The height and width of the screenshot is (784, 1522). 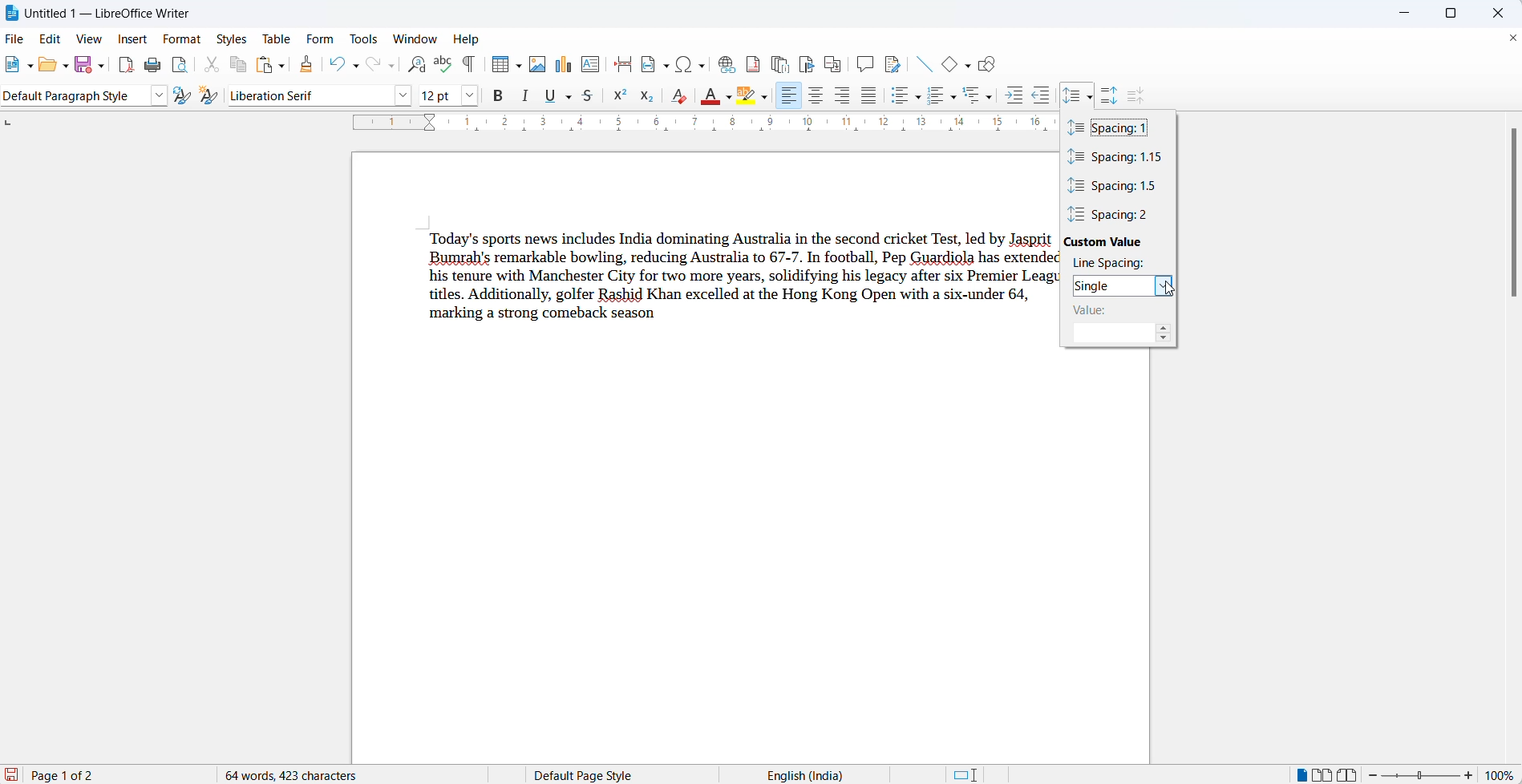 What do you see at coordinates (832, 62) in the screenshot?
I see `insert cross-reference` at bounding box center [832, 62].